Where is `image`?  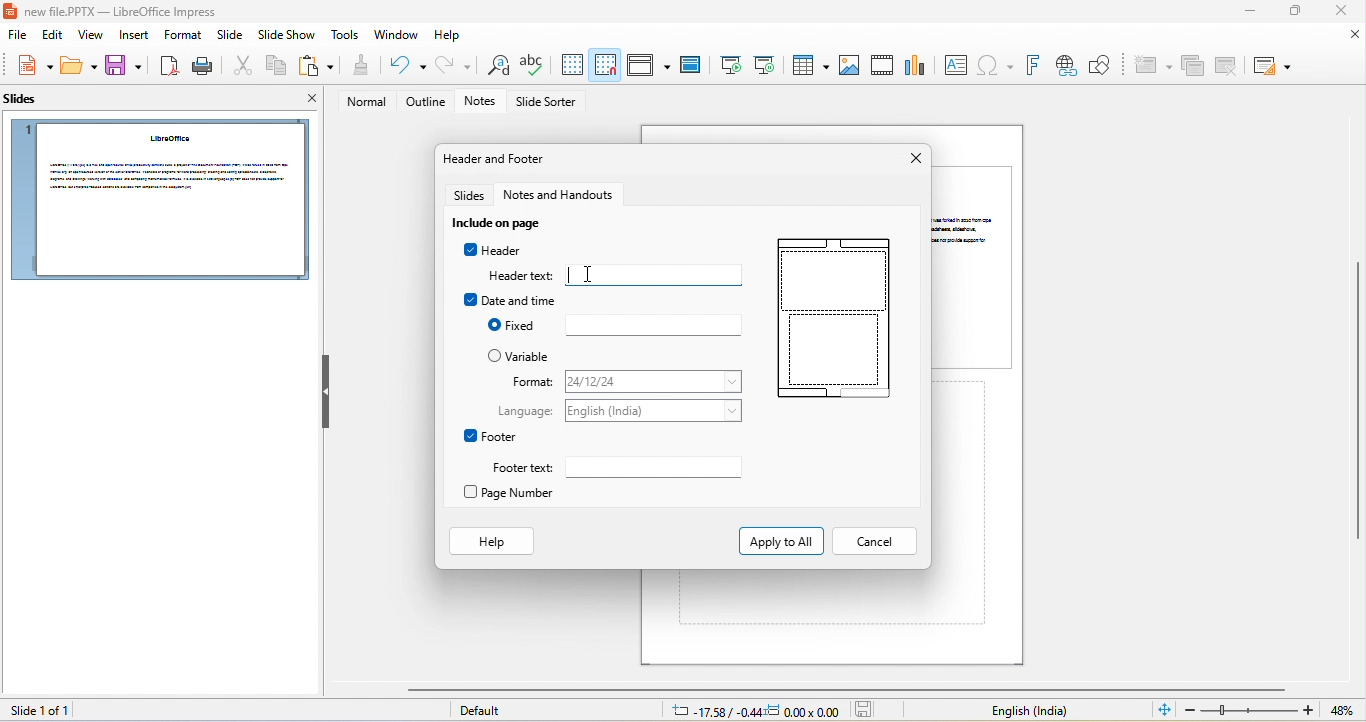 image is located at coordinates (849, 66).